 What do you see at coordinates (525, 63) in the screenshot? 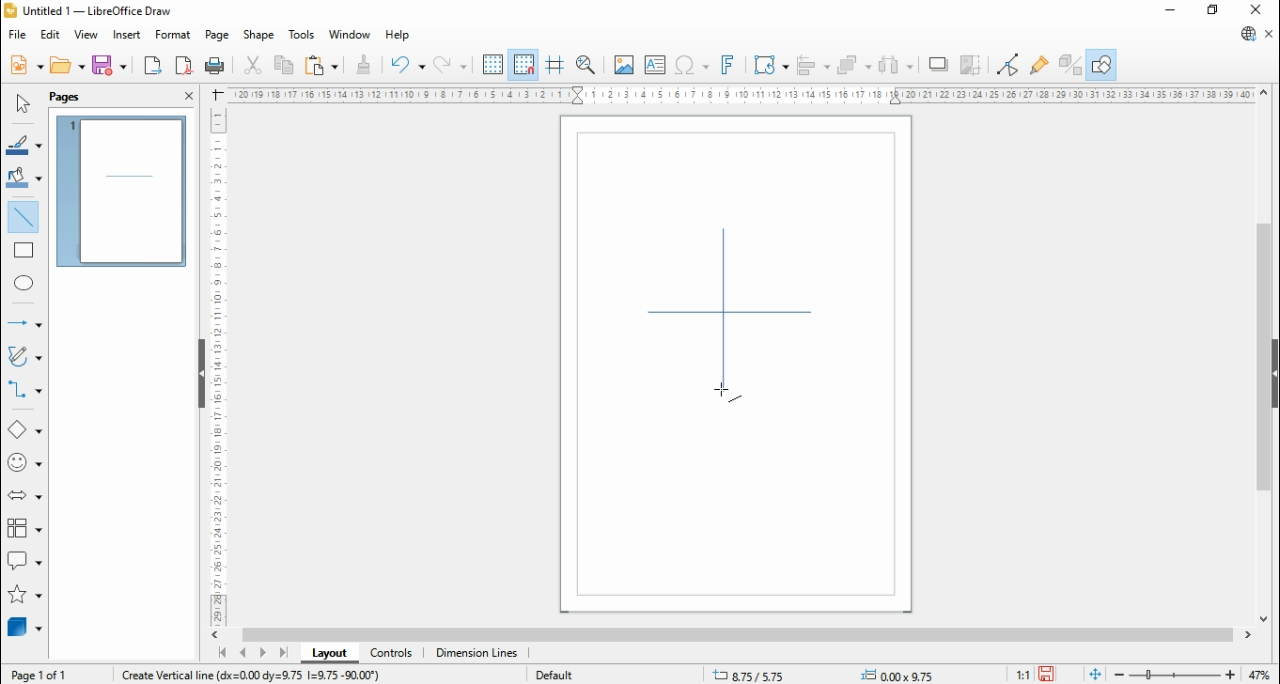
I see `snap to grids` at bounding box center [525, 63].